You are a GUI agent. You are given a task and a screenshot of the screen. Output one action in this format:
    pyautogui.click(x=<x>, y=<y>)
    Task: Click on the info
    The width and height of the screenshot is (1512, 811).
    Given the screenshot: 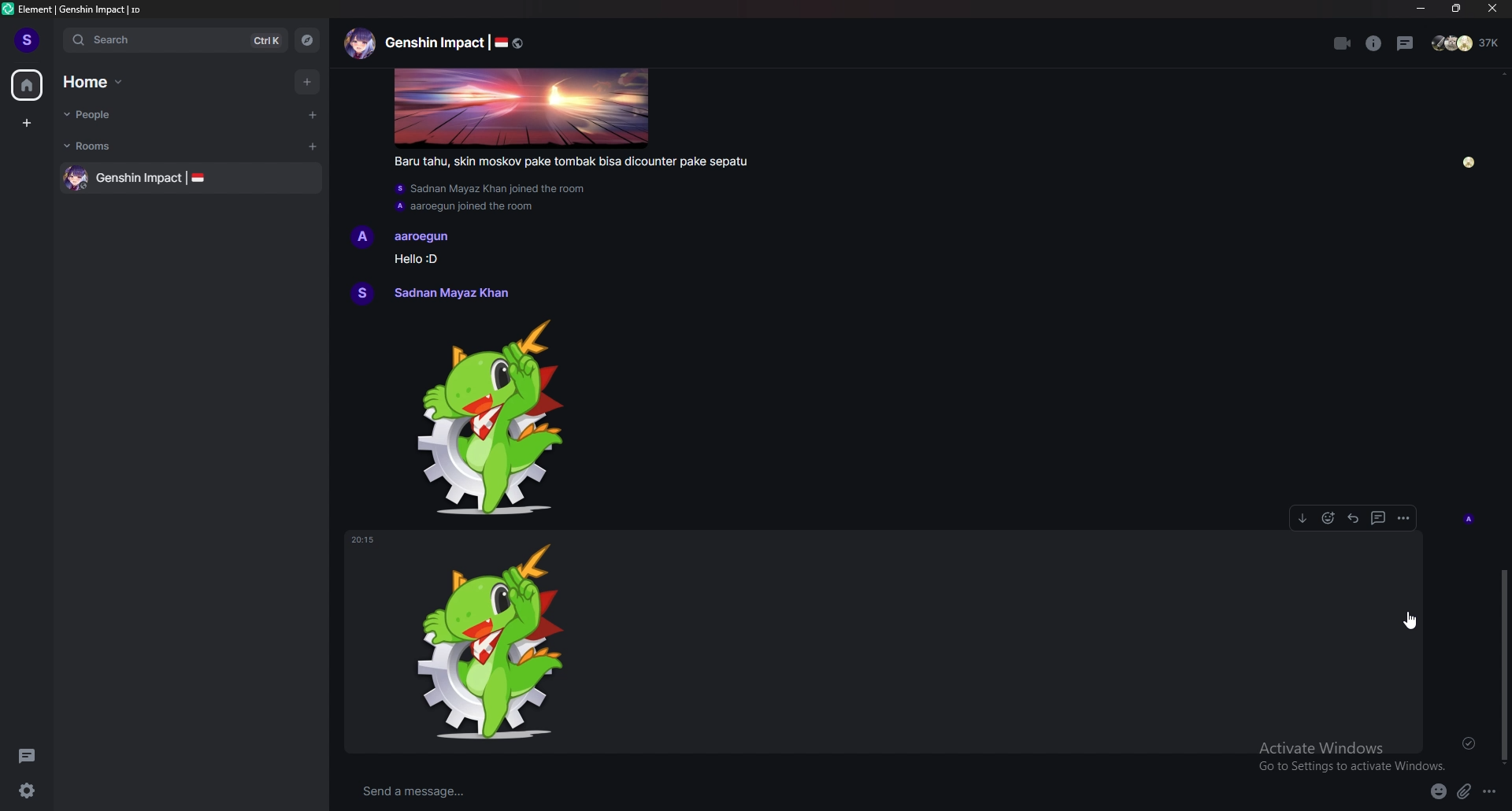 What is the action you would take?
    pyautogui.click(x=1374, y=43)
    